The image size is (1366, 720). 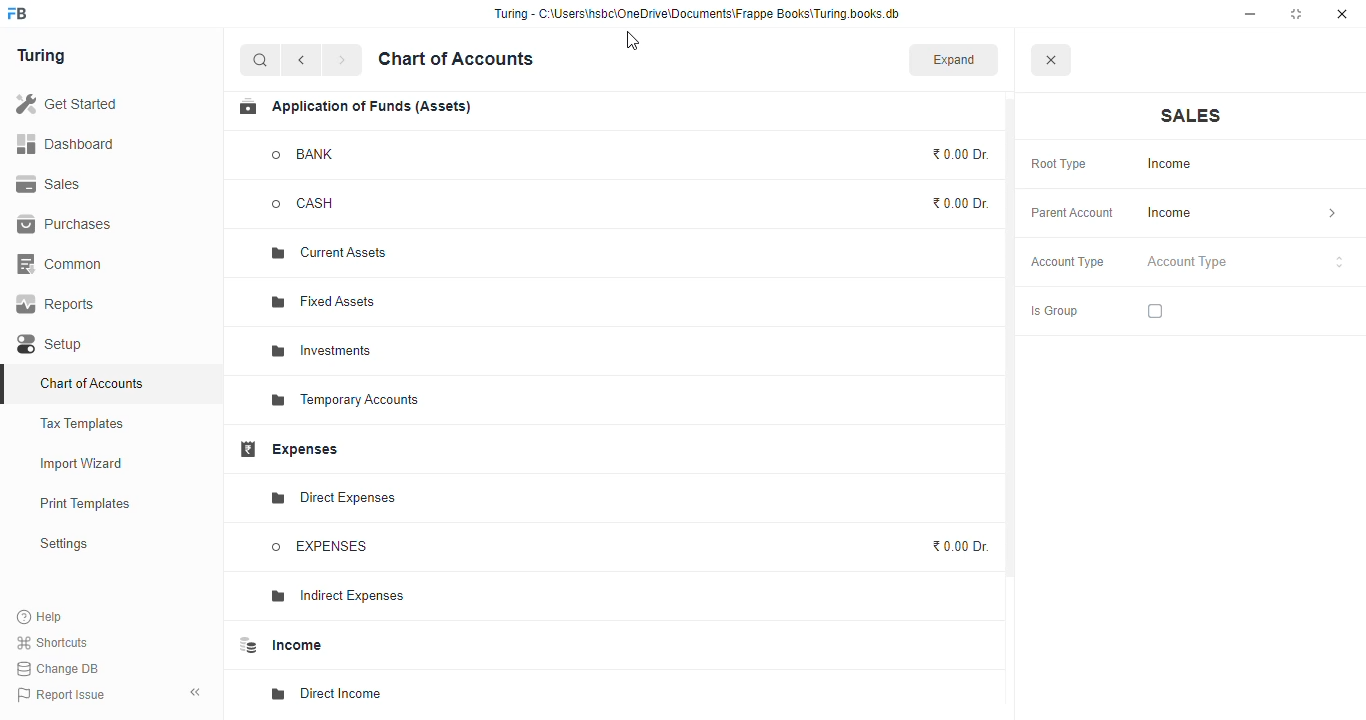 I want to click on ₹0.00 Dr., so click(x=958, y=546).